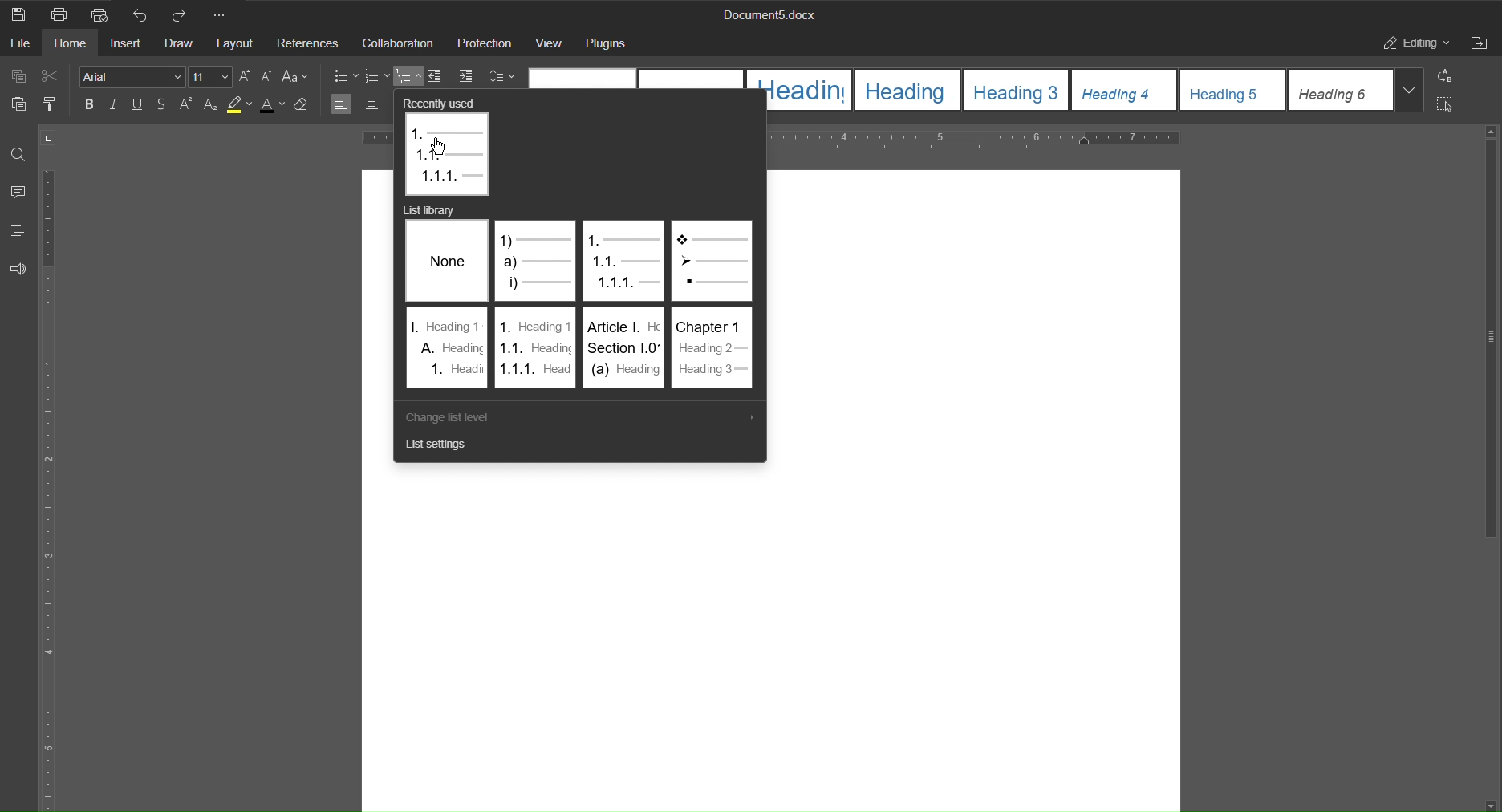  I want to click on Open File Location, so click(1481, 43).